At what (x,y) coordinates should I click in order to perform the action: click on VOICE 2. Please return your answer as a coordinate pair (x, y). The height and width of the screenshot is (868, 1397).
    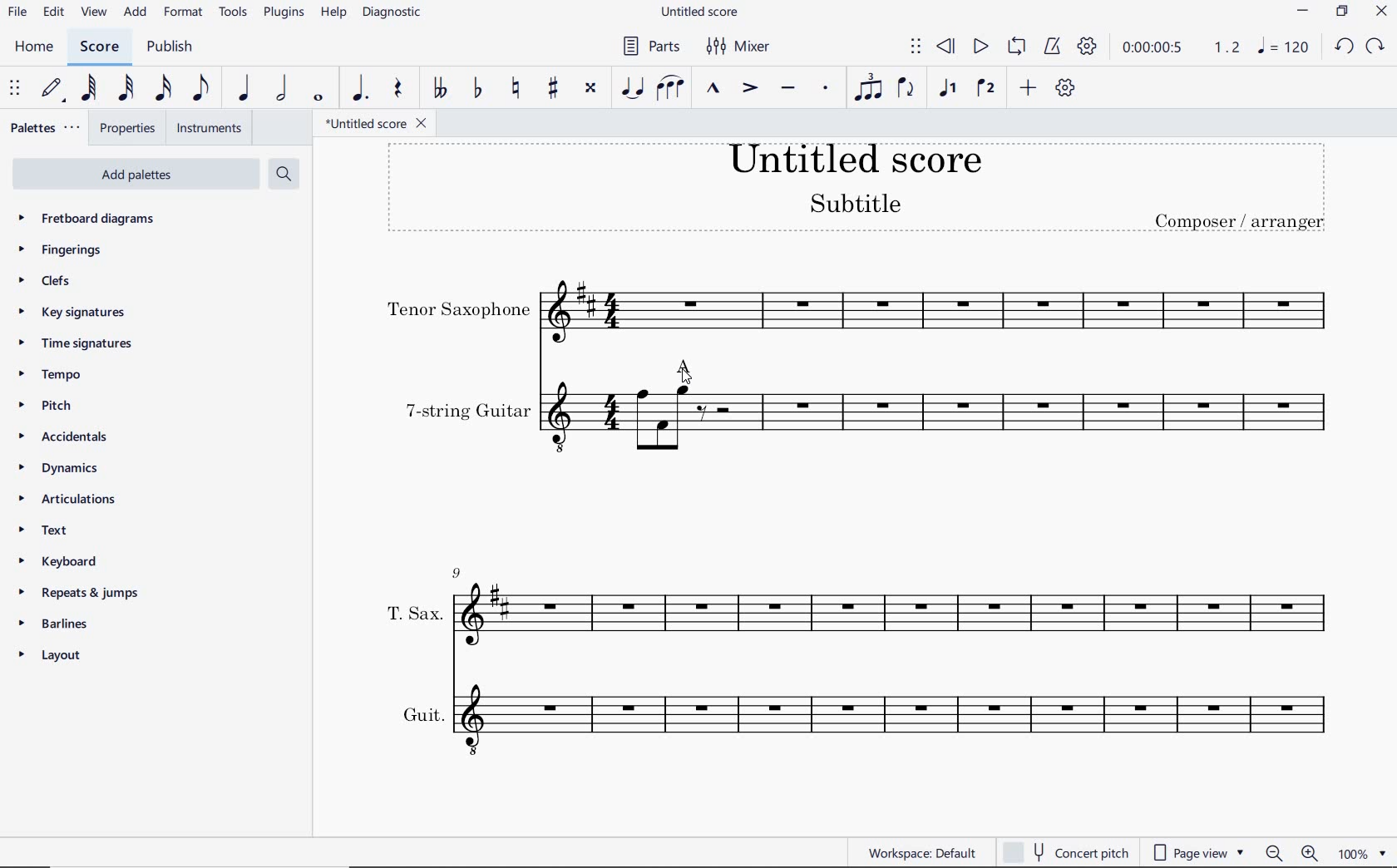
    Looking at the image, I should click on (985, 89).